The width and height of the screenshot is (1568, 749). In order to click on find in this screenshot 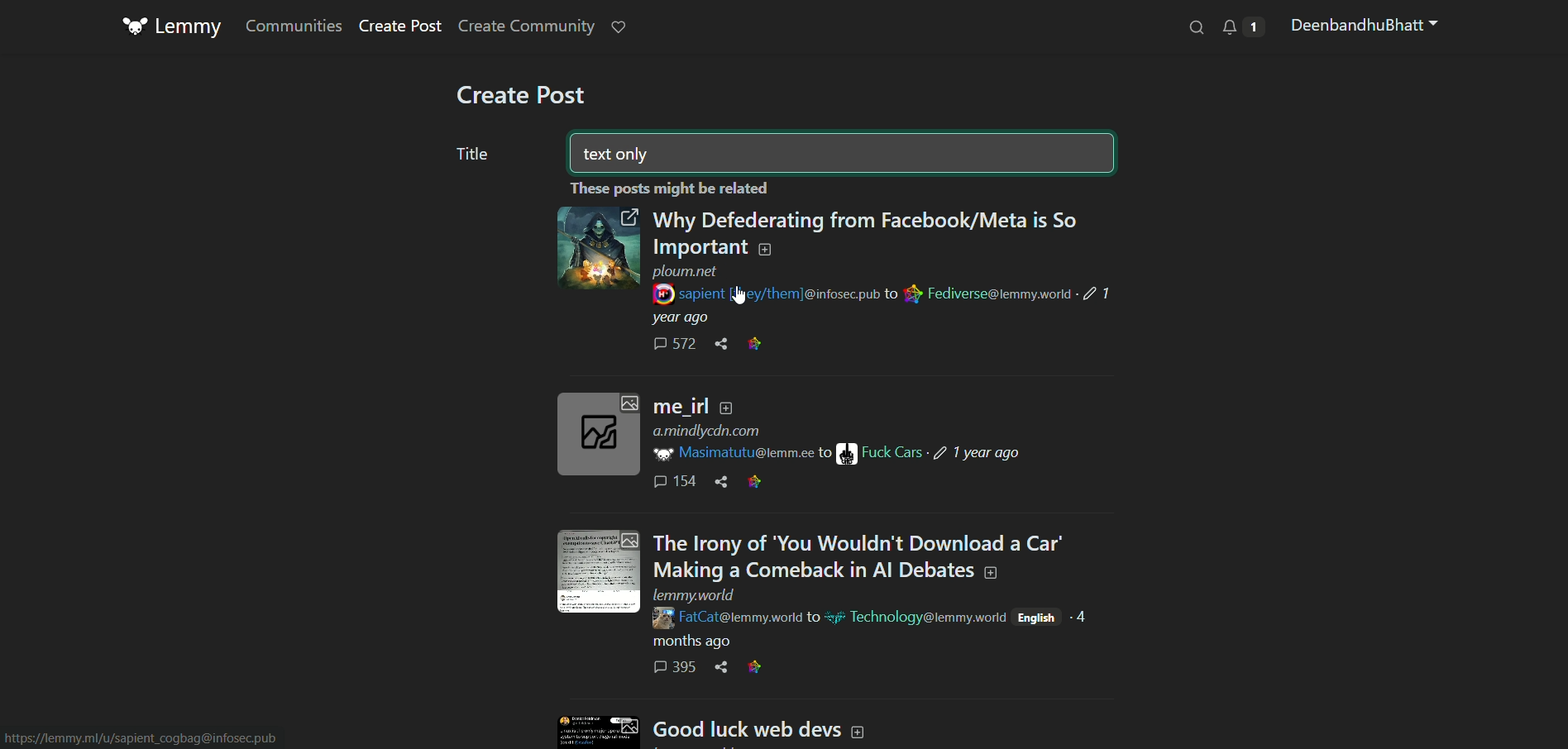, I will do `click(1192, 30)`.